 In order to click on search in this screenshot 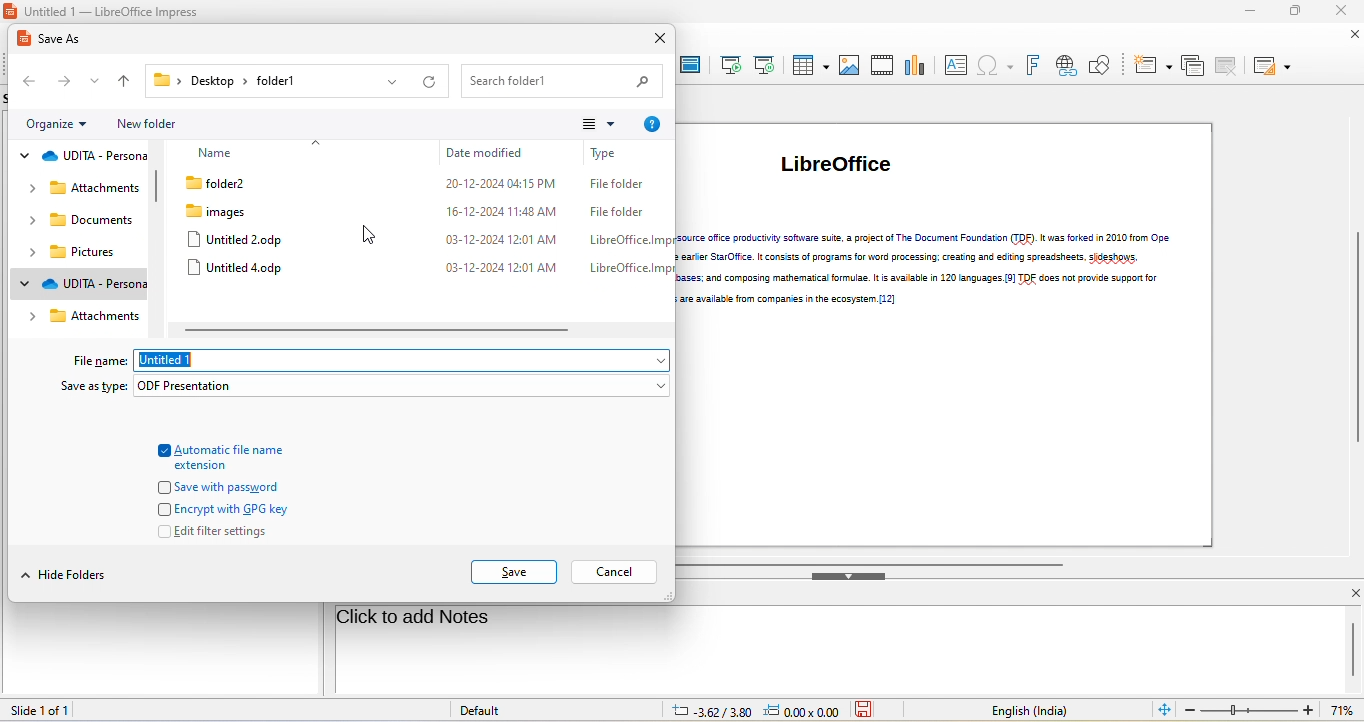, I will do `click(559, 81)`.